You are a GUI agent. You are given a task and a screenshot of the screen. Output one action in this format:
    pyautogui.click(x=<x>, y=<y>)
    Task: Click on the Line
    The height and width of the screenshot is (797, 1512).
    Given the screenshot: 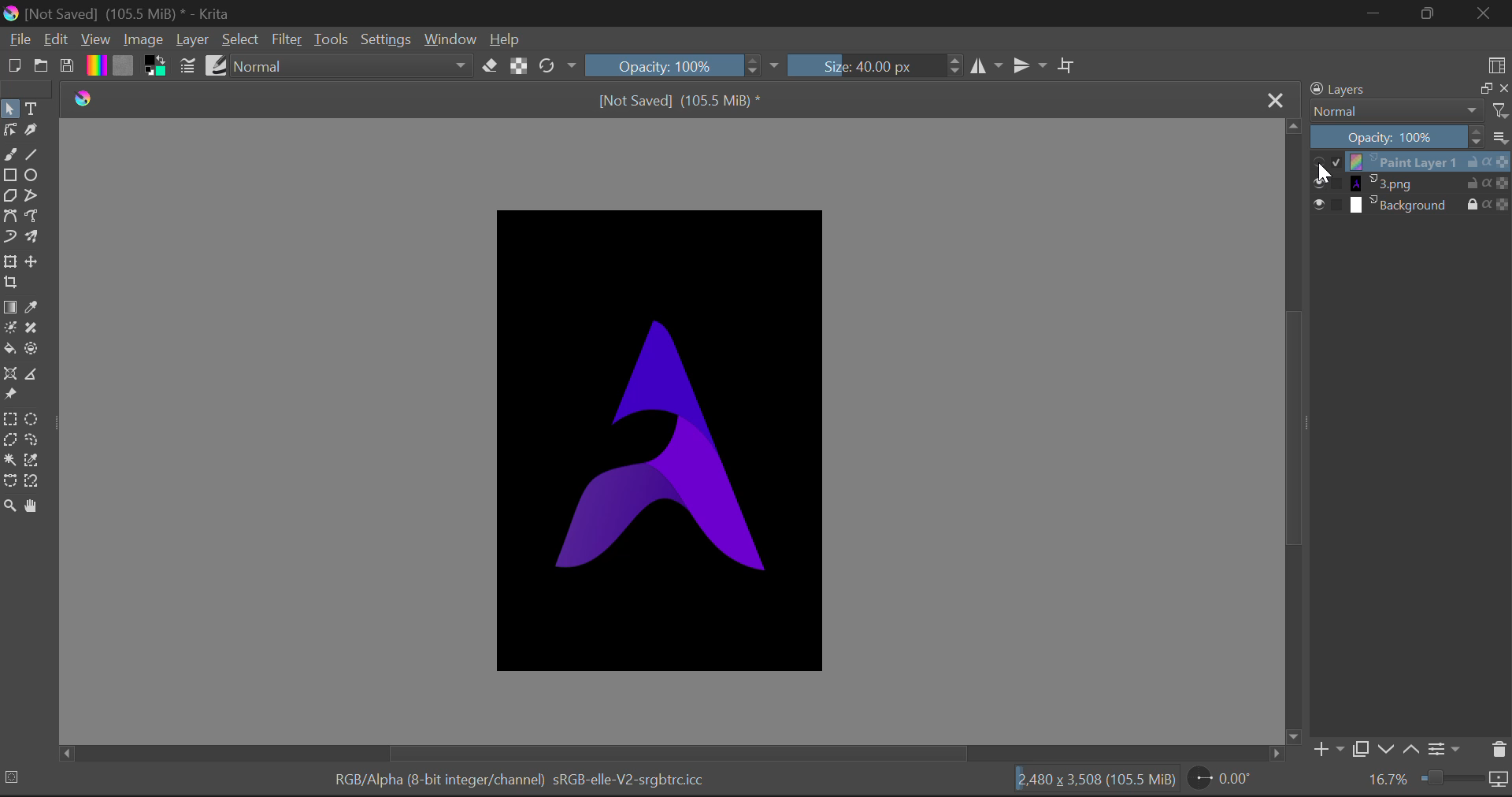 What is the action you would take?
    pyautogui.click(x=34, y=155)
    